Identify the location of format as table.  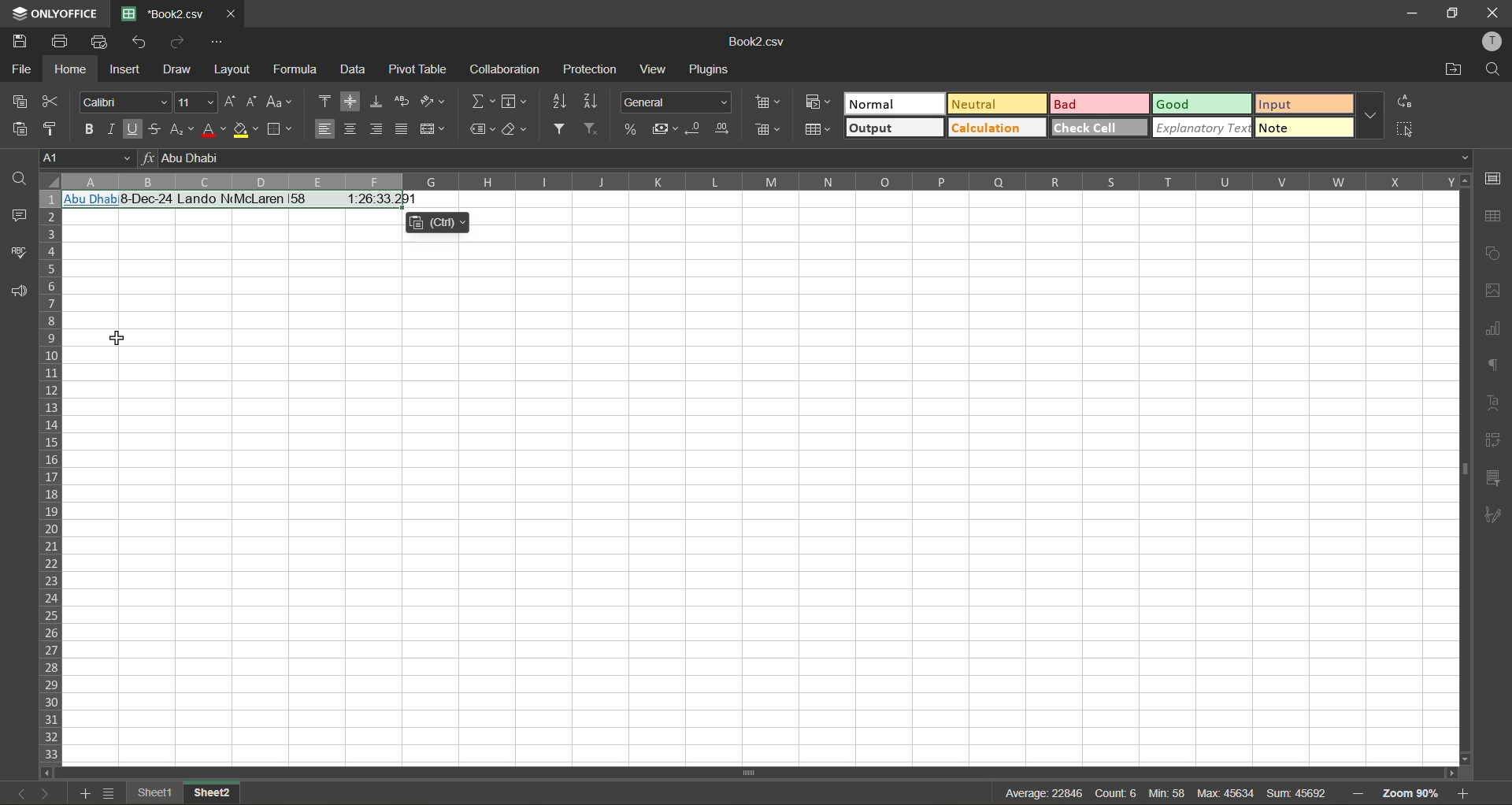
(822, 133).